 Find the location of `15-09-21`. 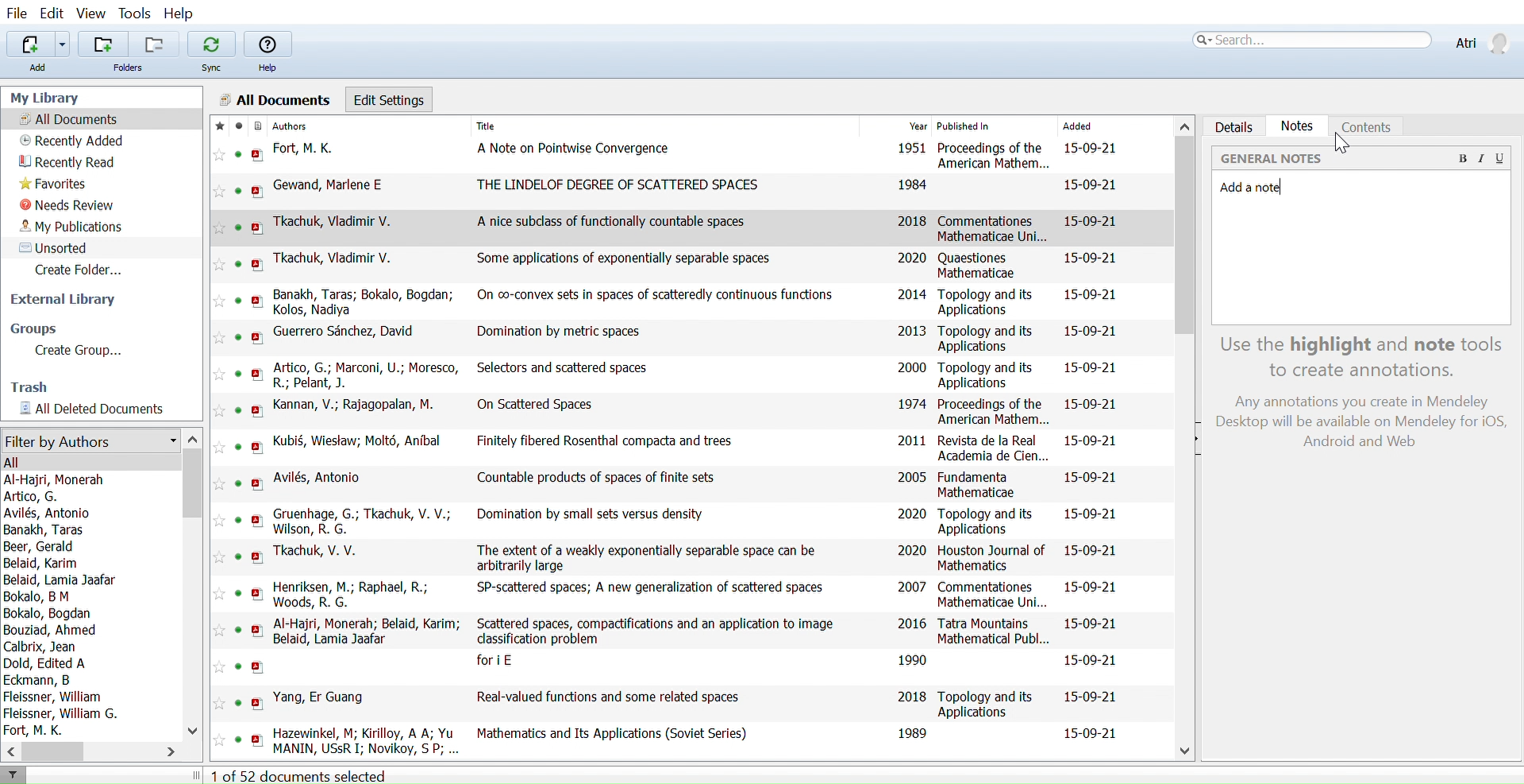

15-09-21 is located at coordinates (1092, 294).